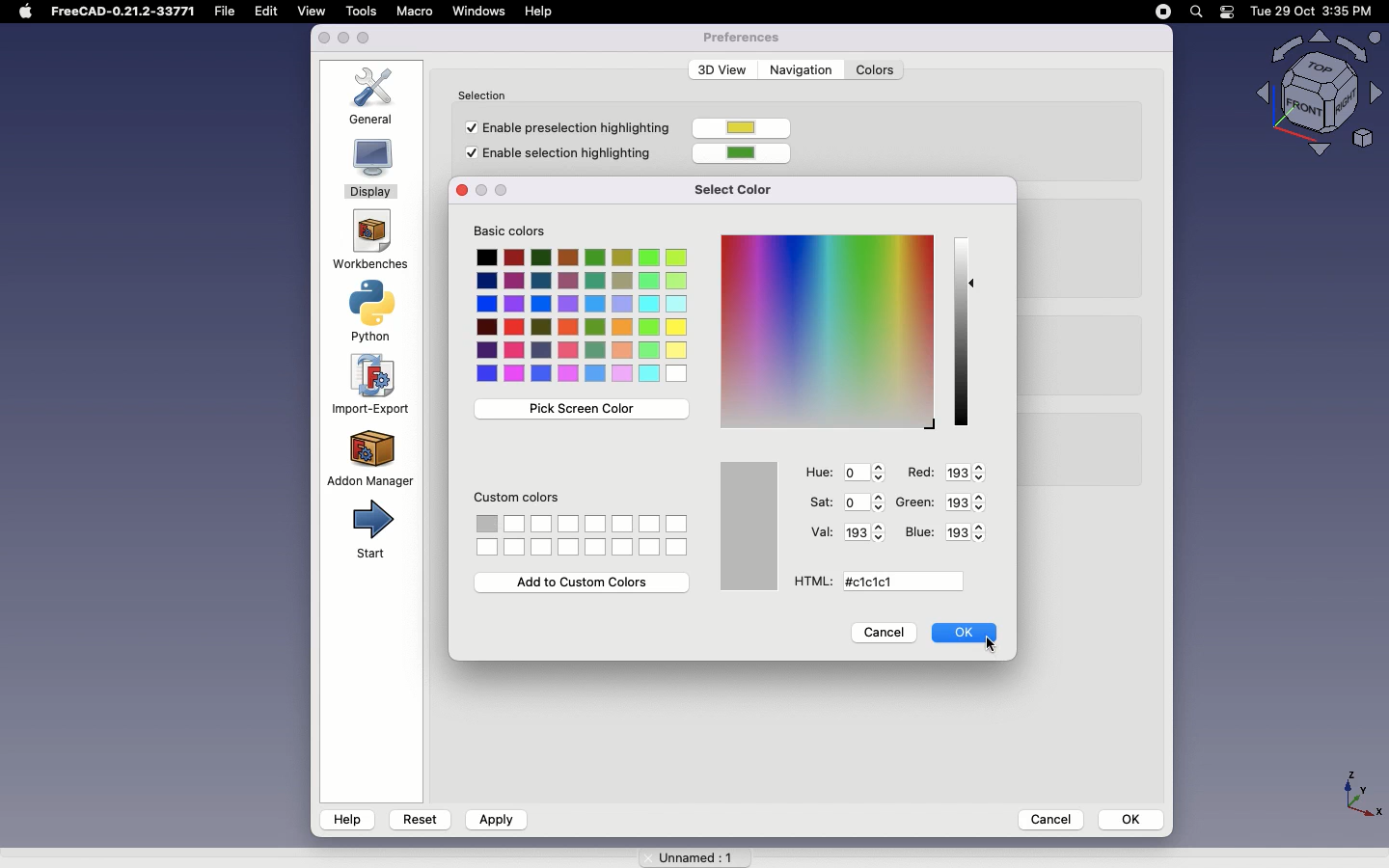 The height and width of the screenshot is (868, 1389). I want to click on buttons, so click(496, 189).